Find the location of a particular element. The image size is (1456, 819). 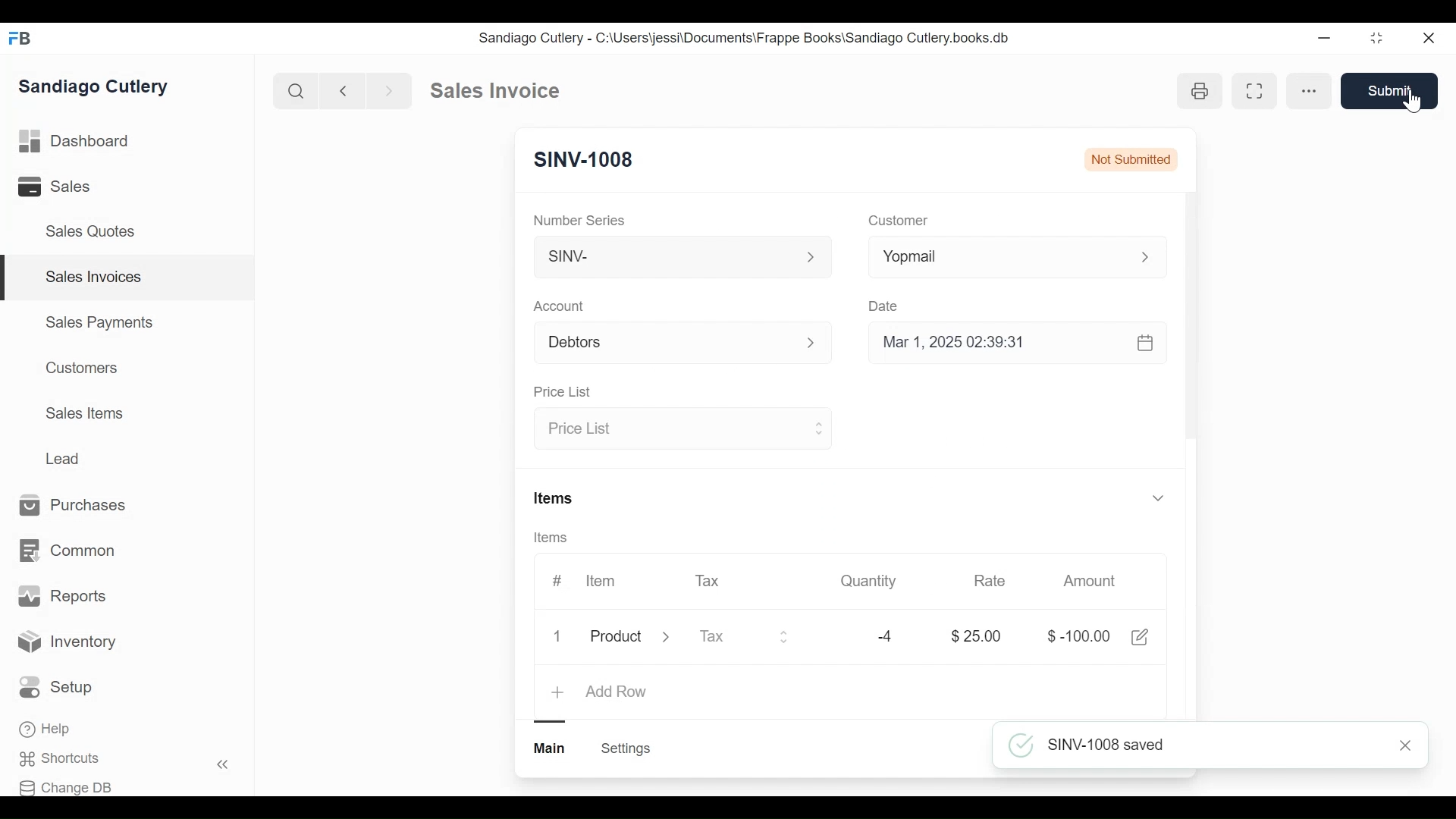

Minimize is located at coordinates (1323, 38).